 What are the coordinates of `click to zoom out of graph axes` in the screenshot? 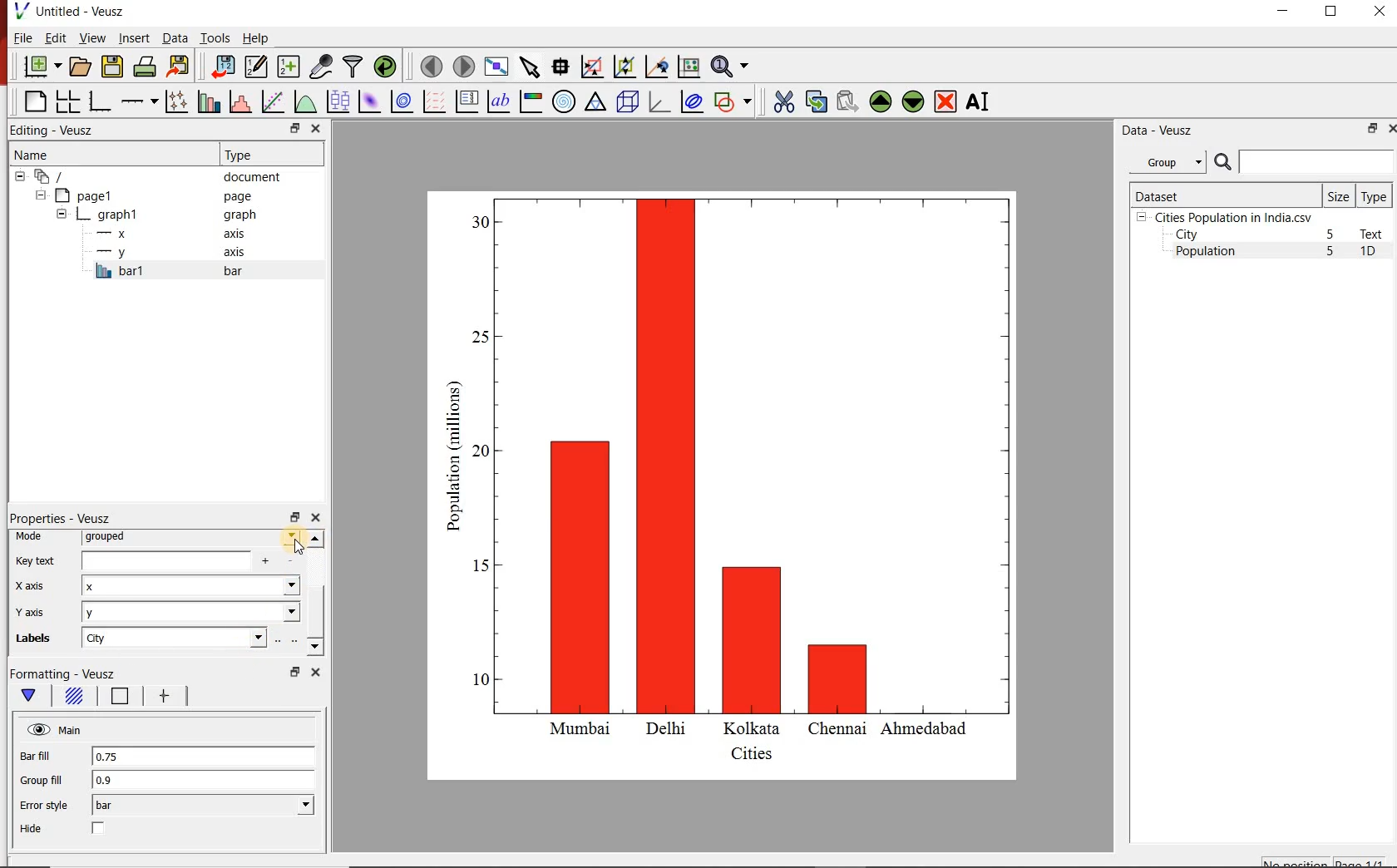 It's located at (622, 68).